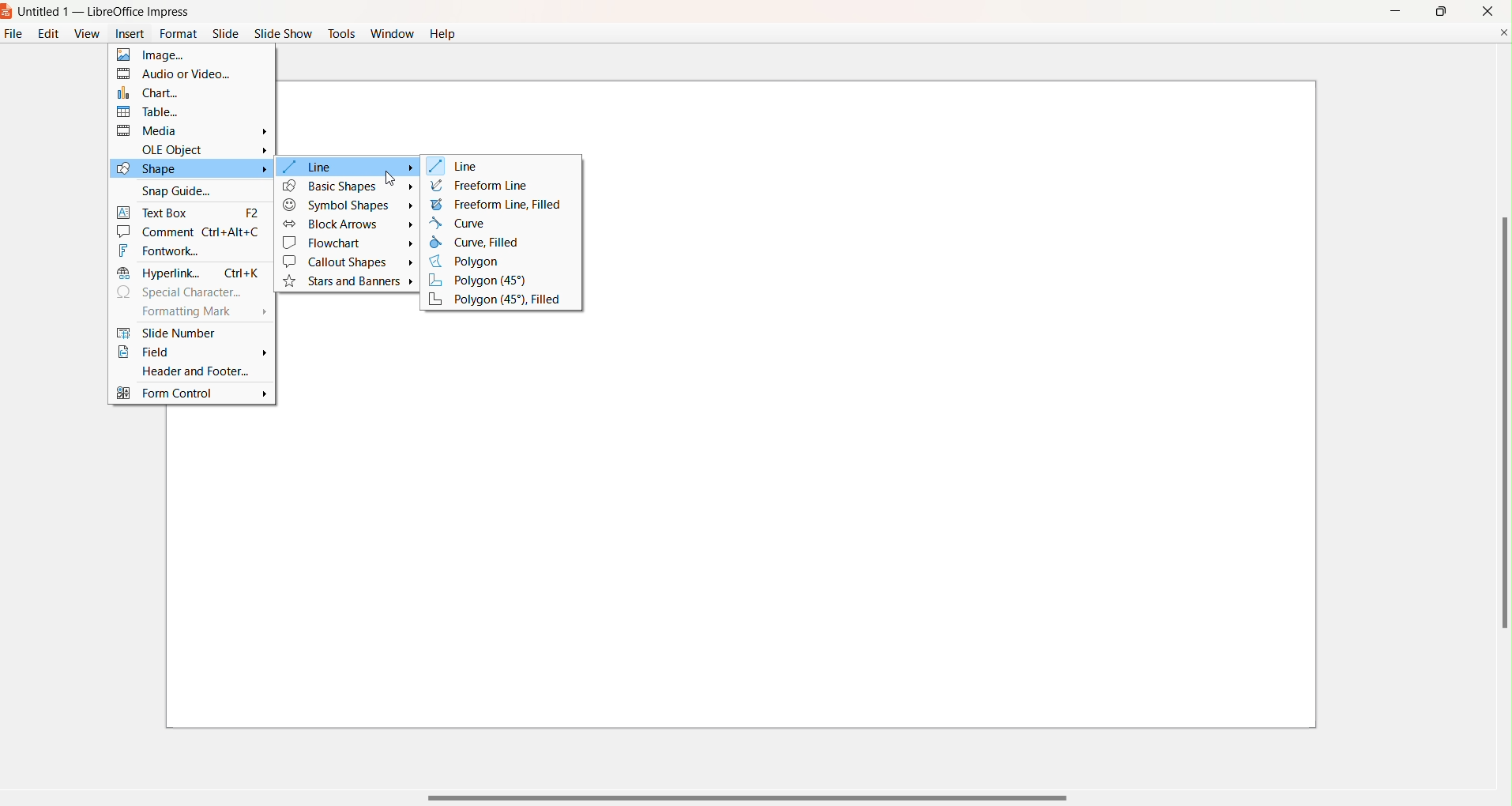  What do you see at coordinates (348, 186) in the screenshot?
I see `Basic Shapes` at bounding box center [348, 186].